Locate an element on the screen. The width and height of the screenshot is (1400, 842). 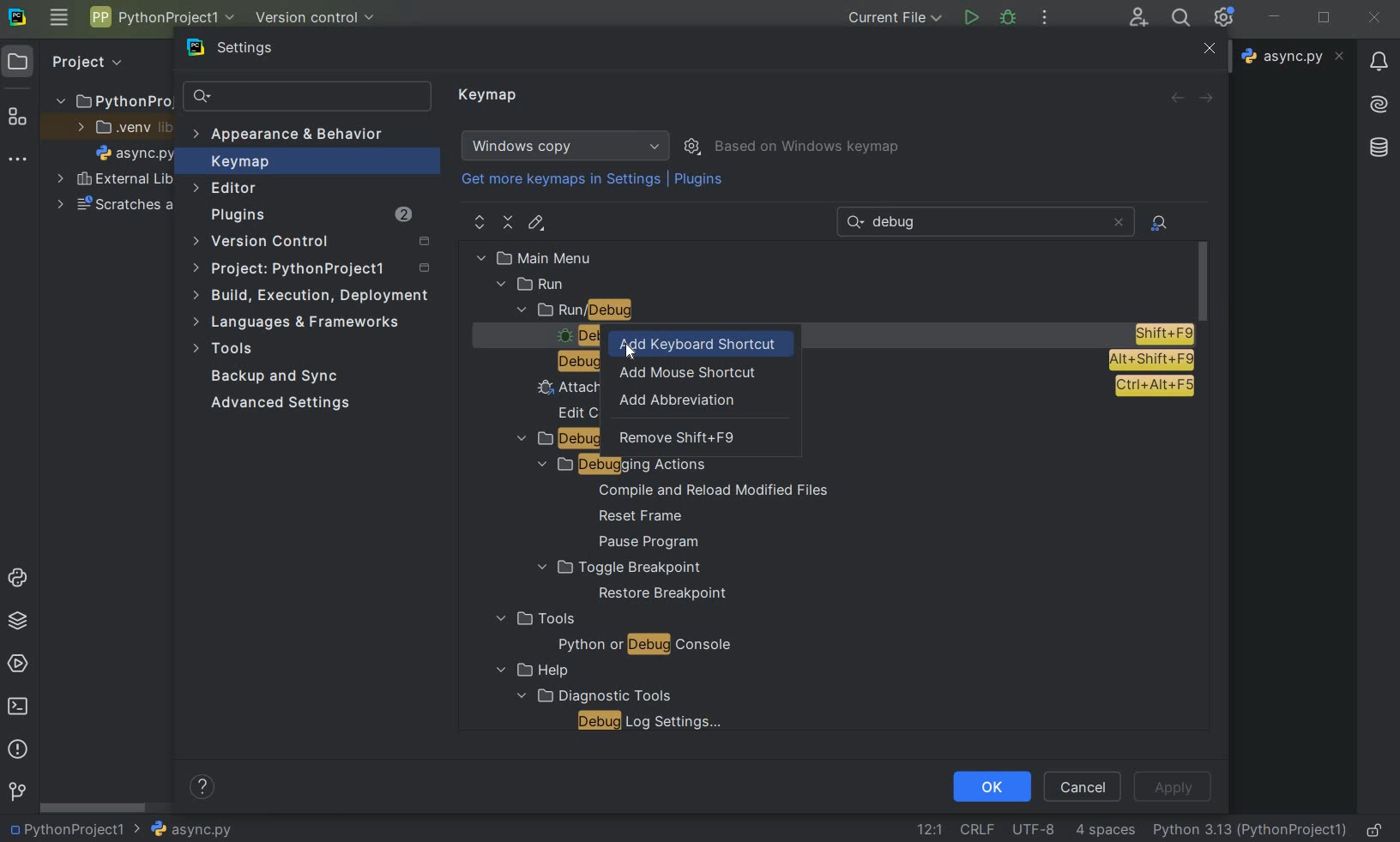
Project is located at coordinates (85, 60).